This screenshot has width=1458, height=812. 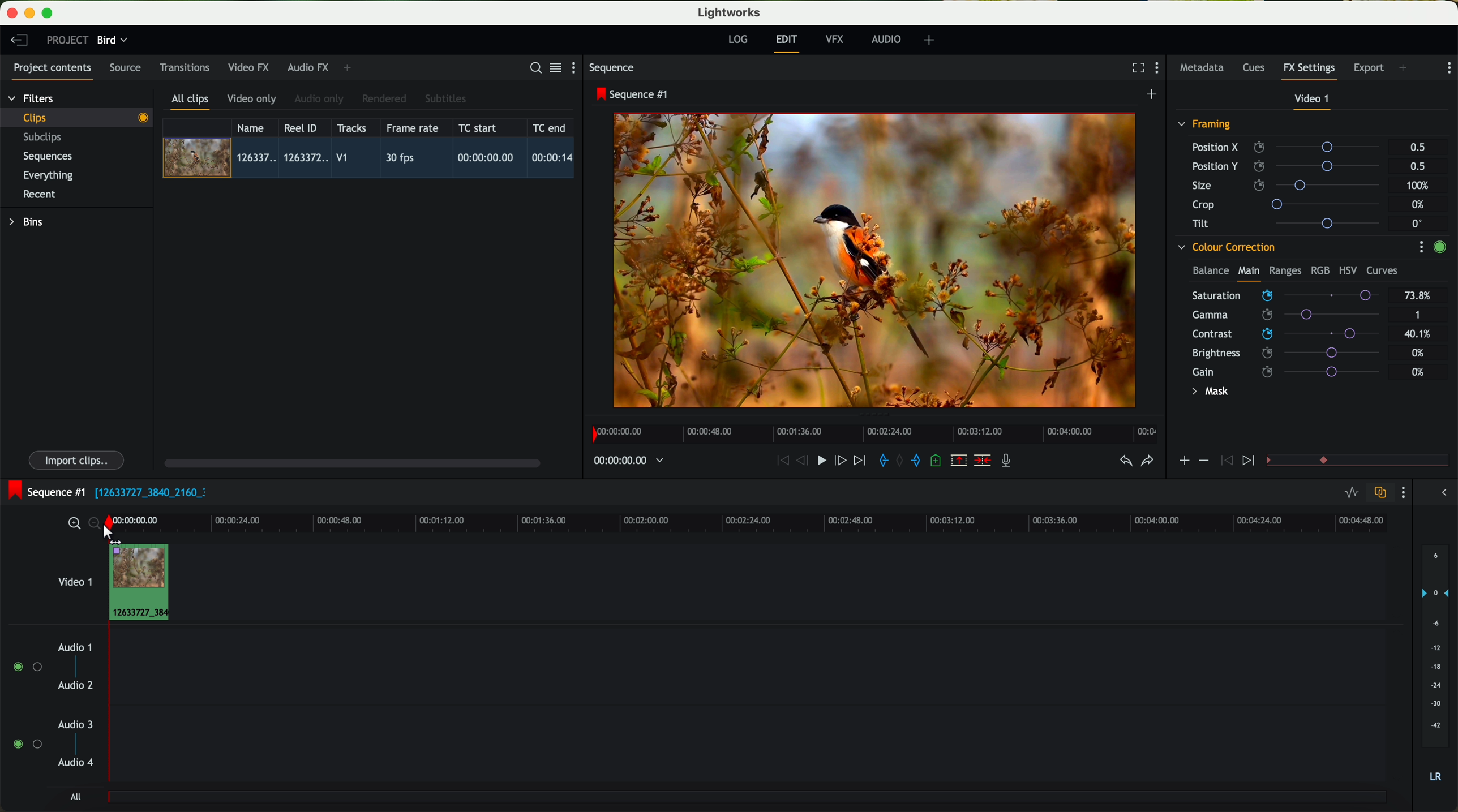 I want to click on add a cue at the current position, so click(x=937, y=461).